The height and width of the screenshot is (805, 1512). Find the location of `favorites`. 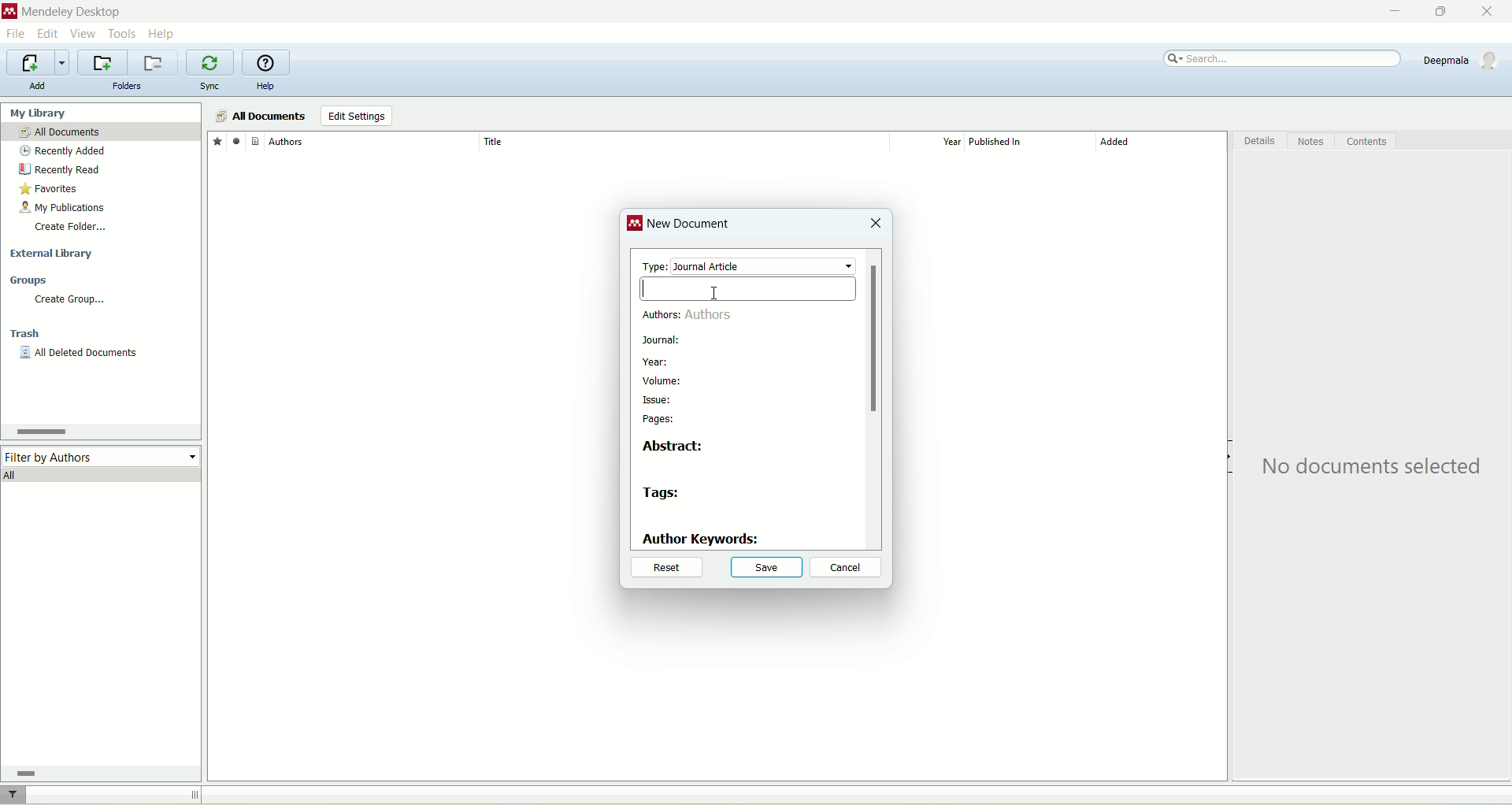

favorites is located at coordinates (50, 191).